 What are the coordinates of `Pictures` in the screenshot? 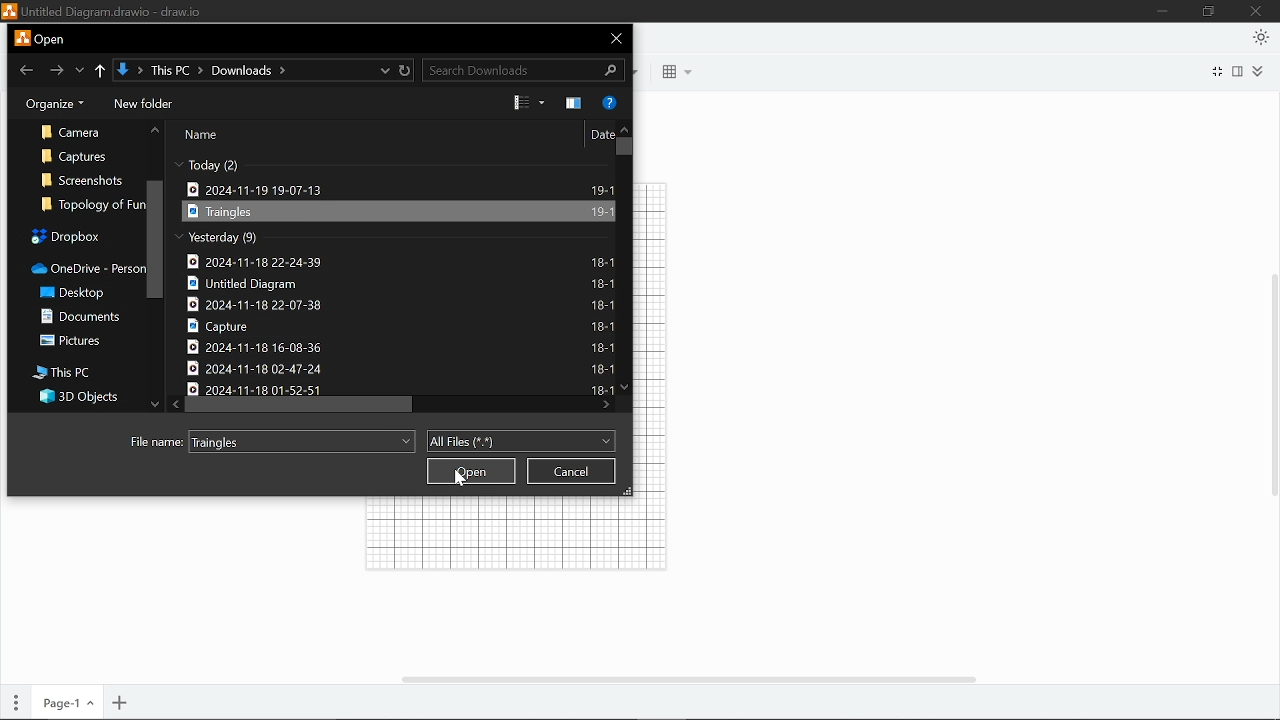 It's located at (81, 345).